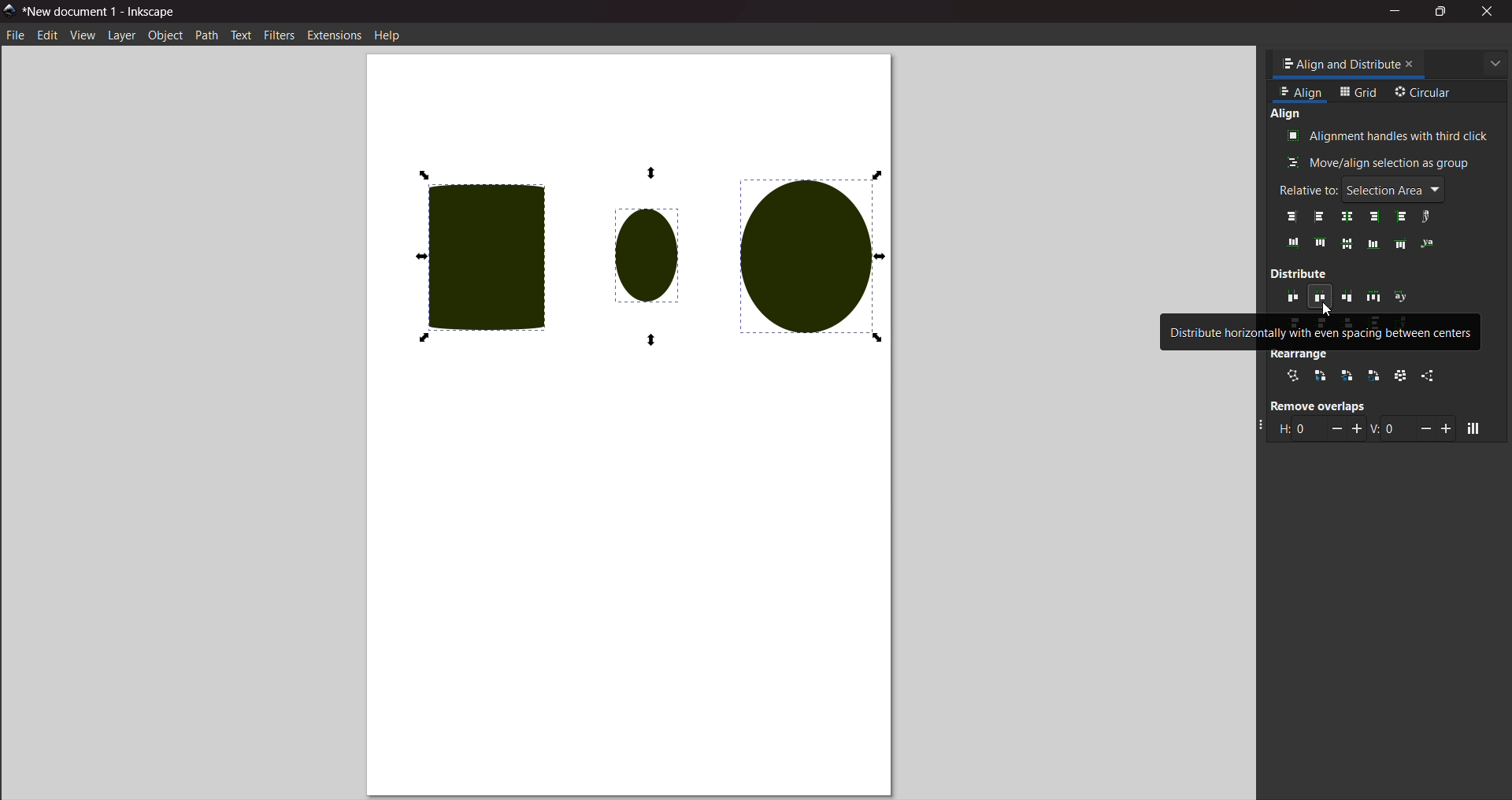 The width and height of the screenshot is (1512, 800). Describe the element at coordinates (1317, 217) in the screenshot. I see `align left` at that location.